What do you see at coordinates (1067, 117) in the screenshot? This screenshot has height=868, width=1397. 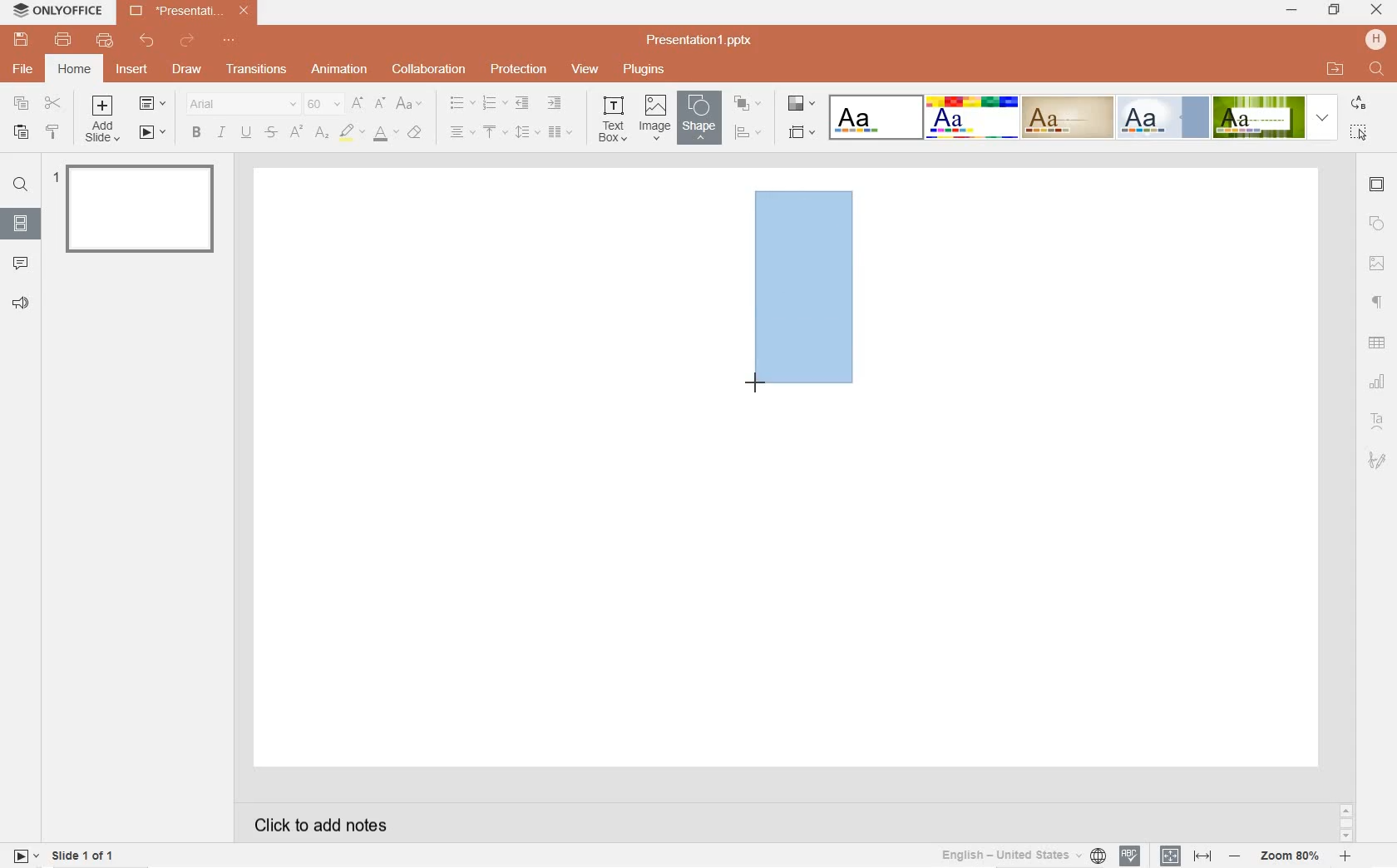 I see `Classic` at bounding box center [1067, 117].